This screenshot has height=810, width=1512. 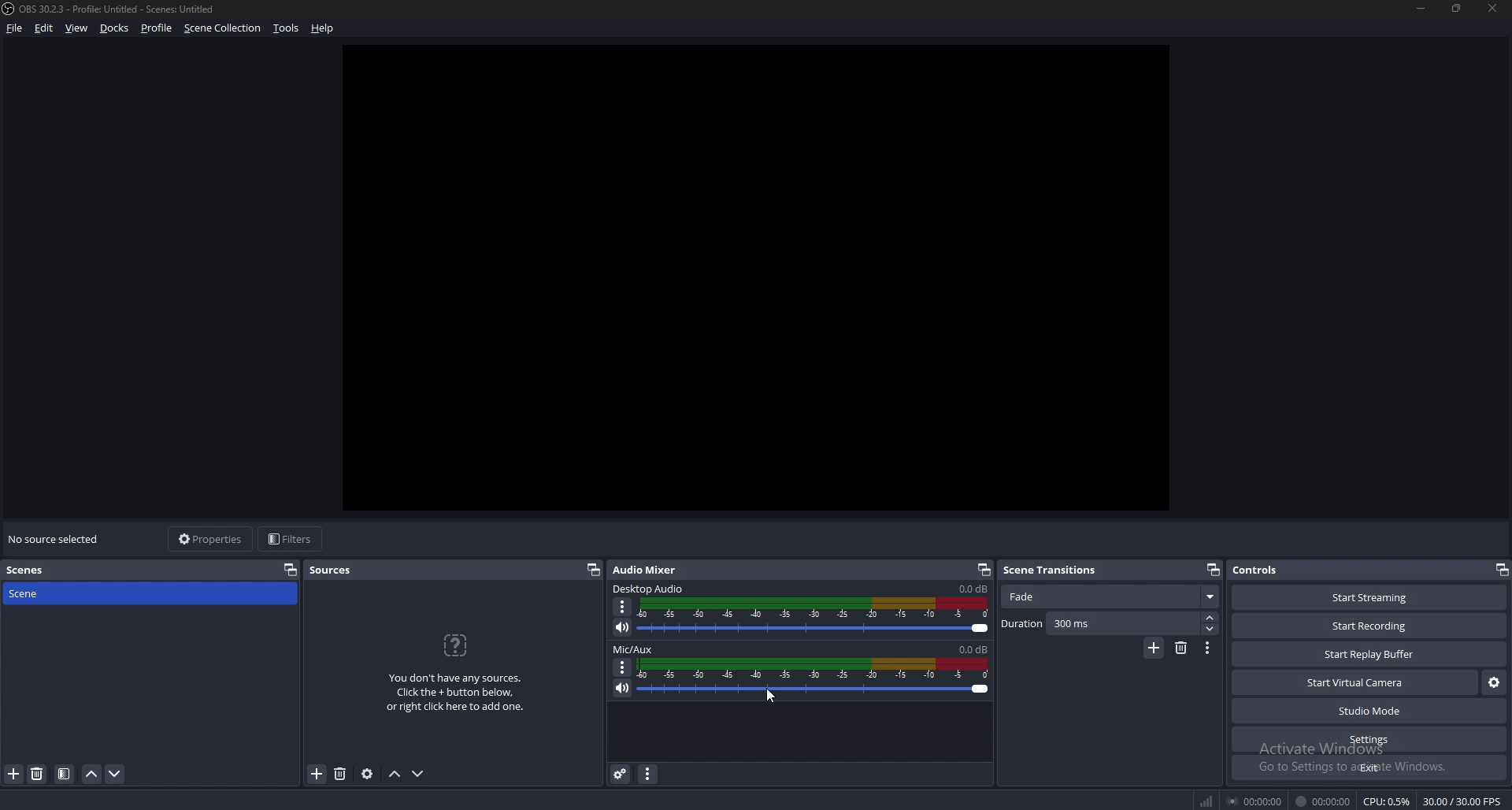 What do you see at coordinates (1388, 802) in the screenshot?
I see `CPU: 0.5%` at bounding box center [1388, 802].